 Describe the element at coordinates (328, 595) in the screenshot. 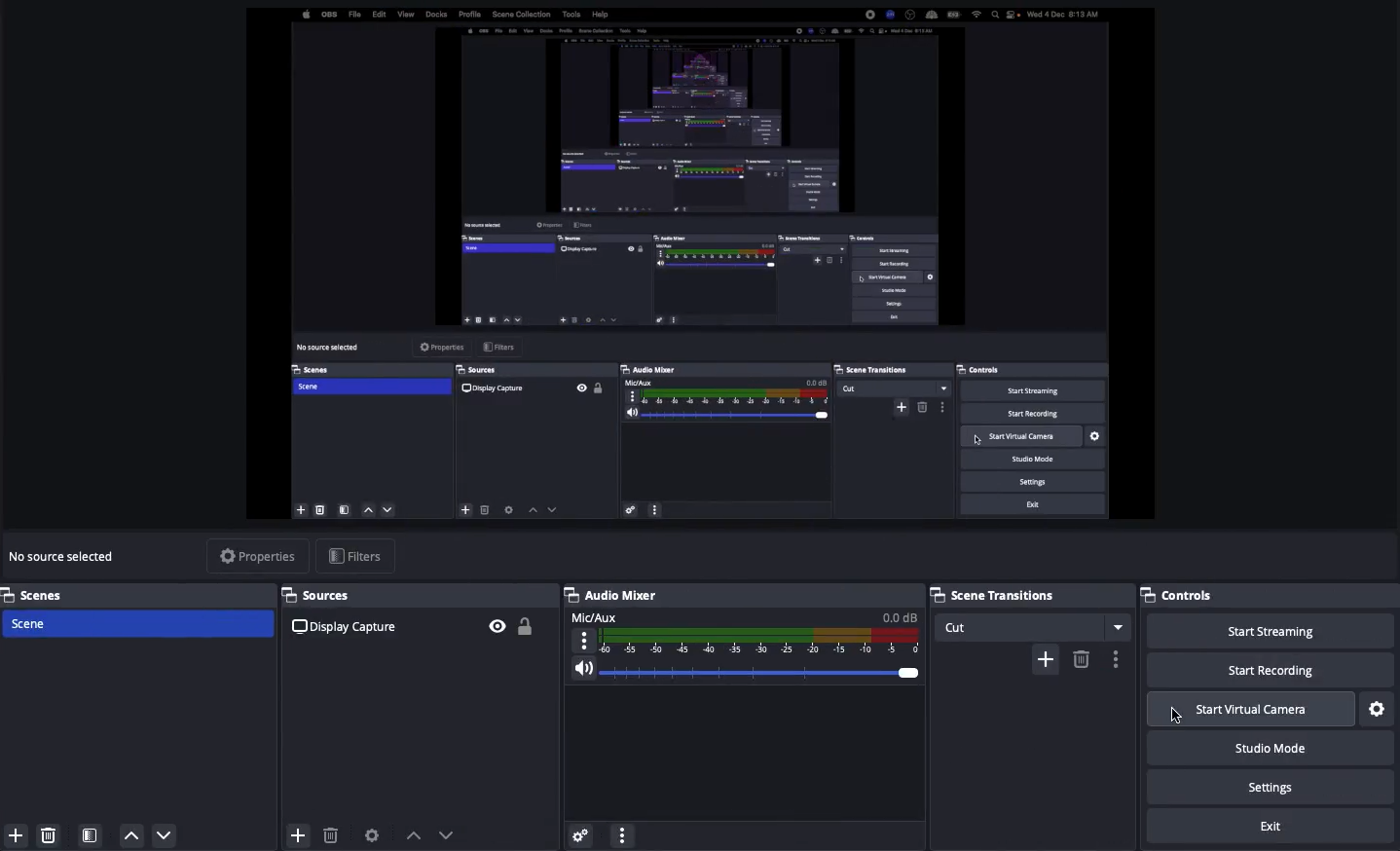

I see `Sources` at that location.